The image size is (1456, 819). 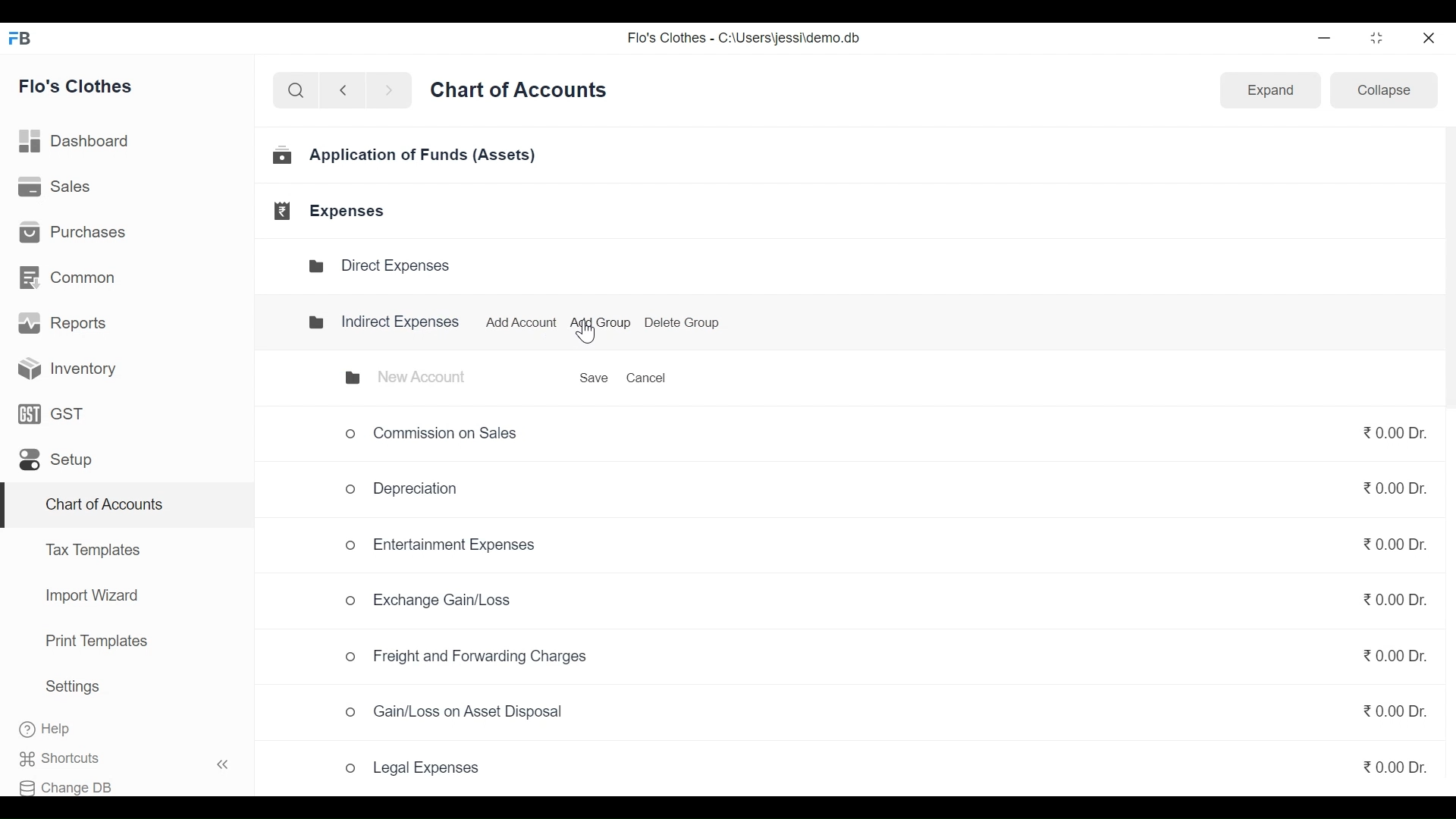 What do you see at coordinates (1389, 767) in the screenshot?
I see `₹0.00 Dr.` at bounding box center [1389, 767].